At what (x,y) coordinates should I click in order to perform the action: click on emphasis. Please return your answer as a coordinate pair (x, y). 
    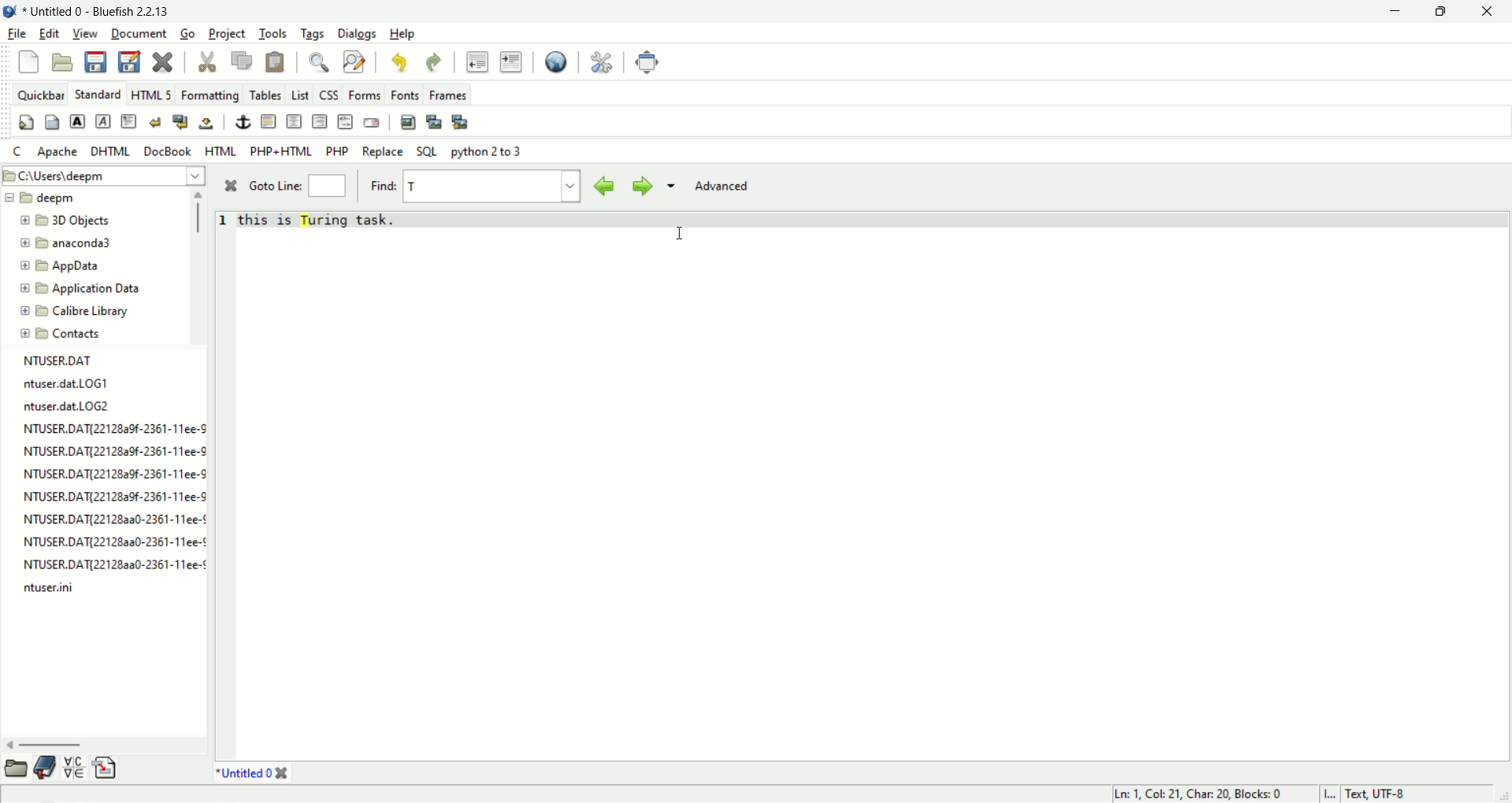
    Looking at the image, I should click on (105, 122).